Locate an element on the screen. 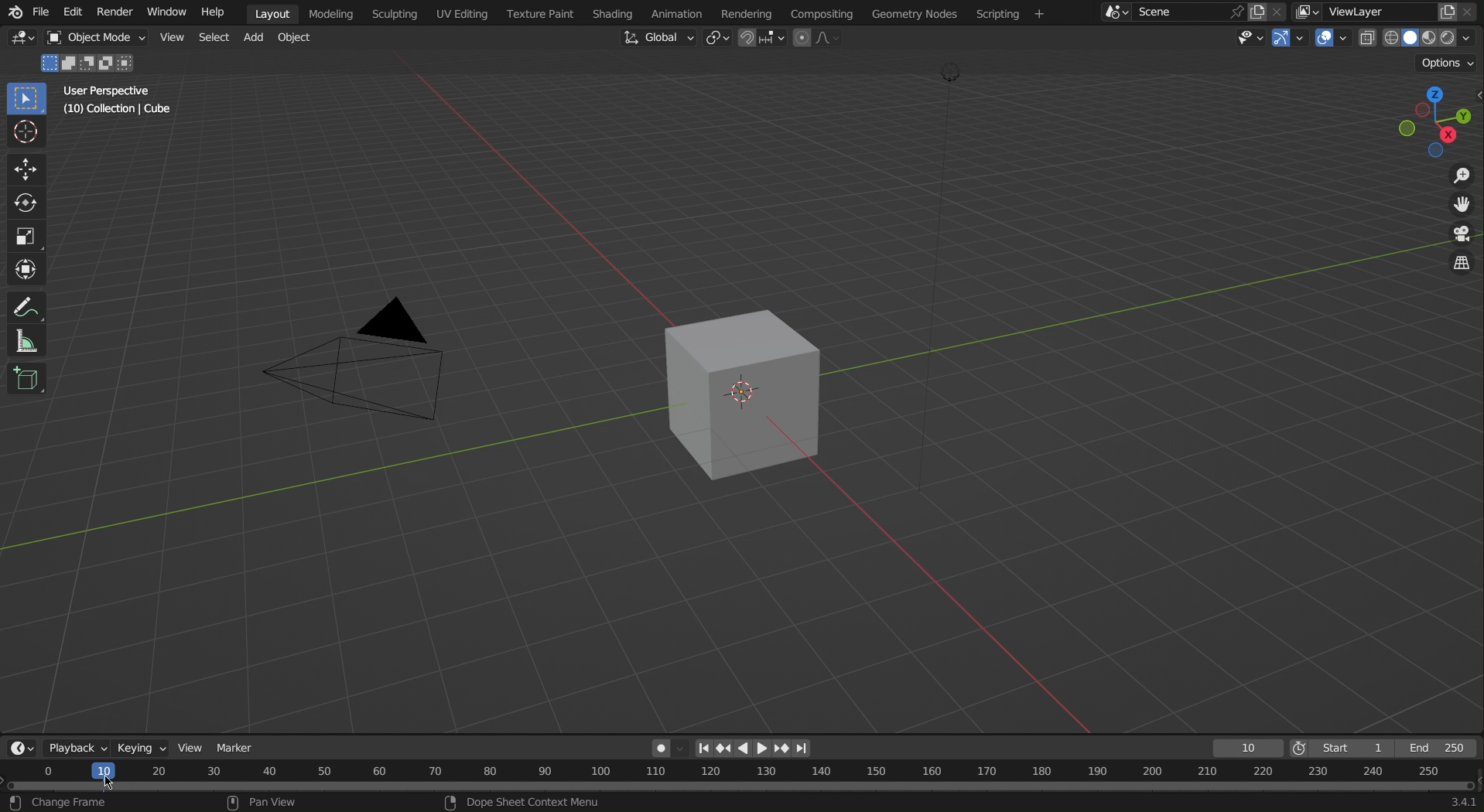 This screenshot has width=1484, height=812. UV Editing is located at coordinates (460, 13).